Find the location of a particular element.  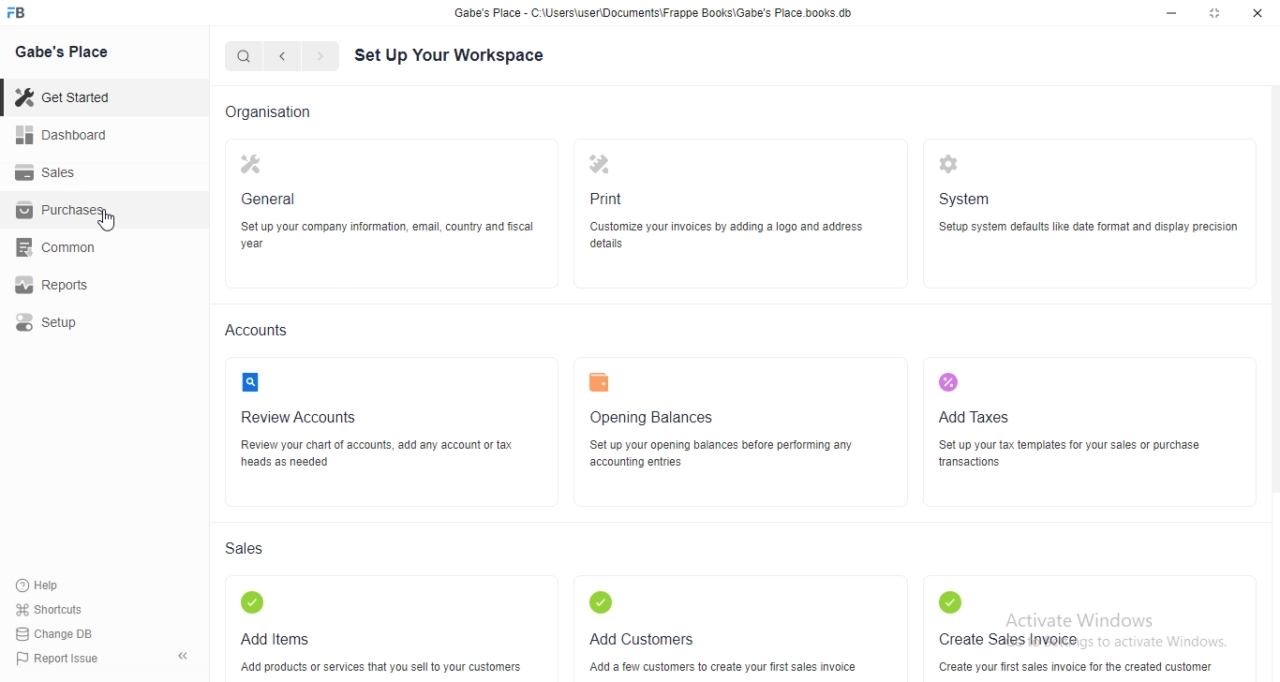

Create Sales Invoice Create your first sales invoice for the created customer is located at coordinates (1077, 652).